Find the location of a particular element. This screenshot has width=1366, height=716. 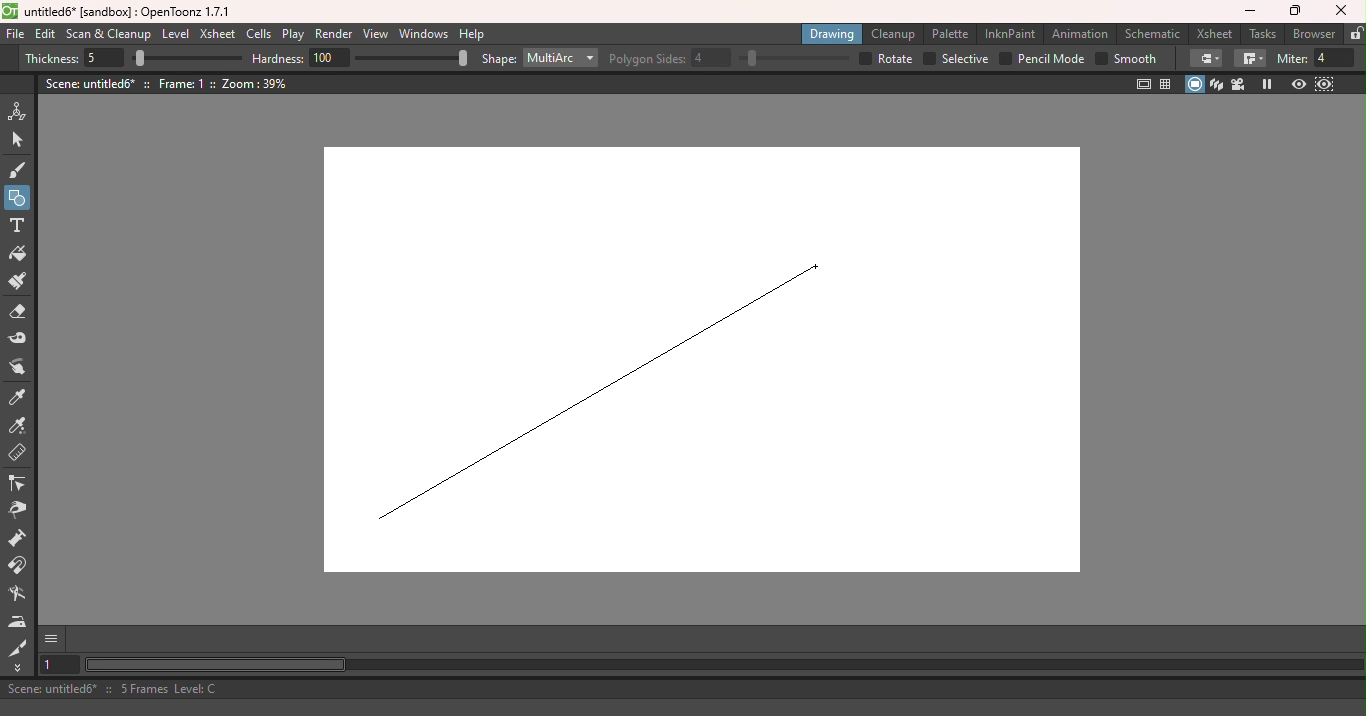

Style picker tool is located at coordinates (21, 398).